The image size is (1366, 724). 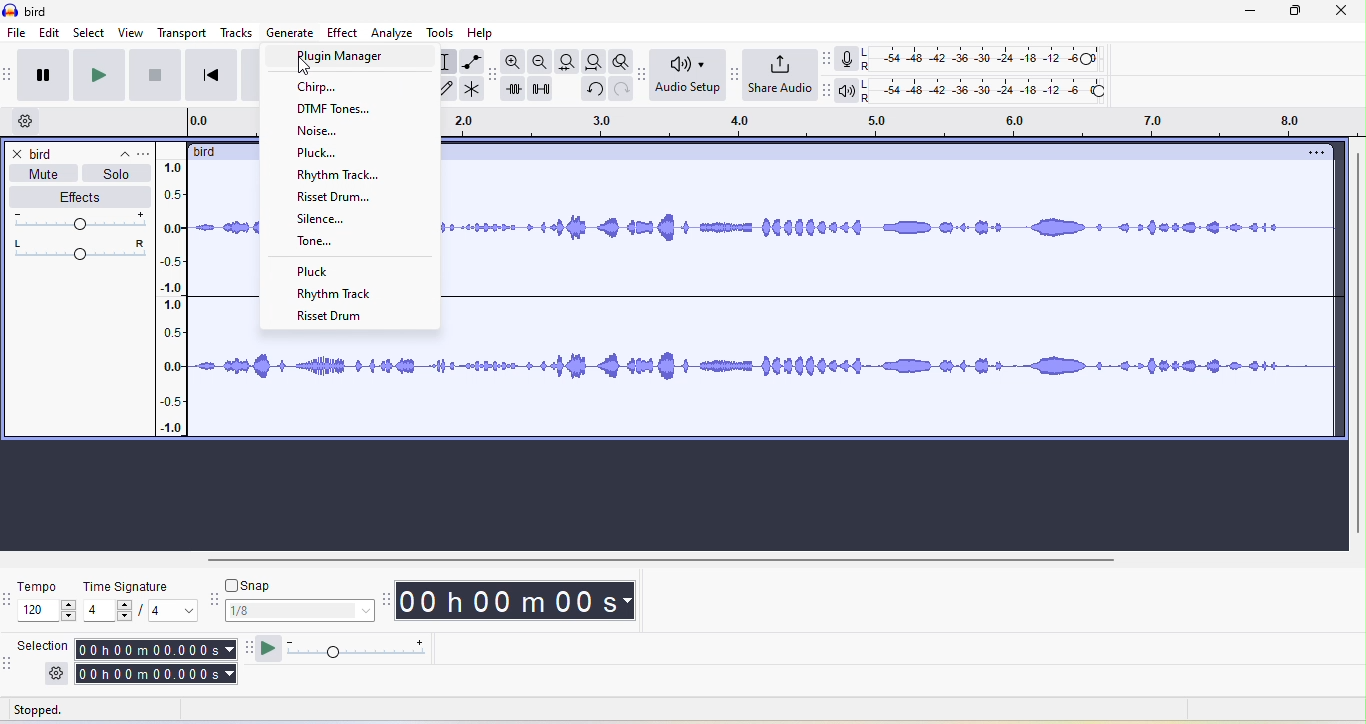 I want to click on stop, so click(x=154, y=75).